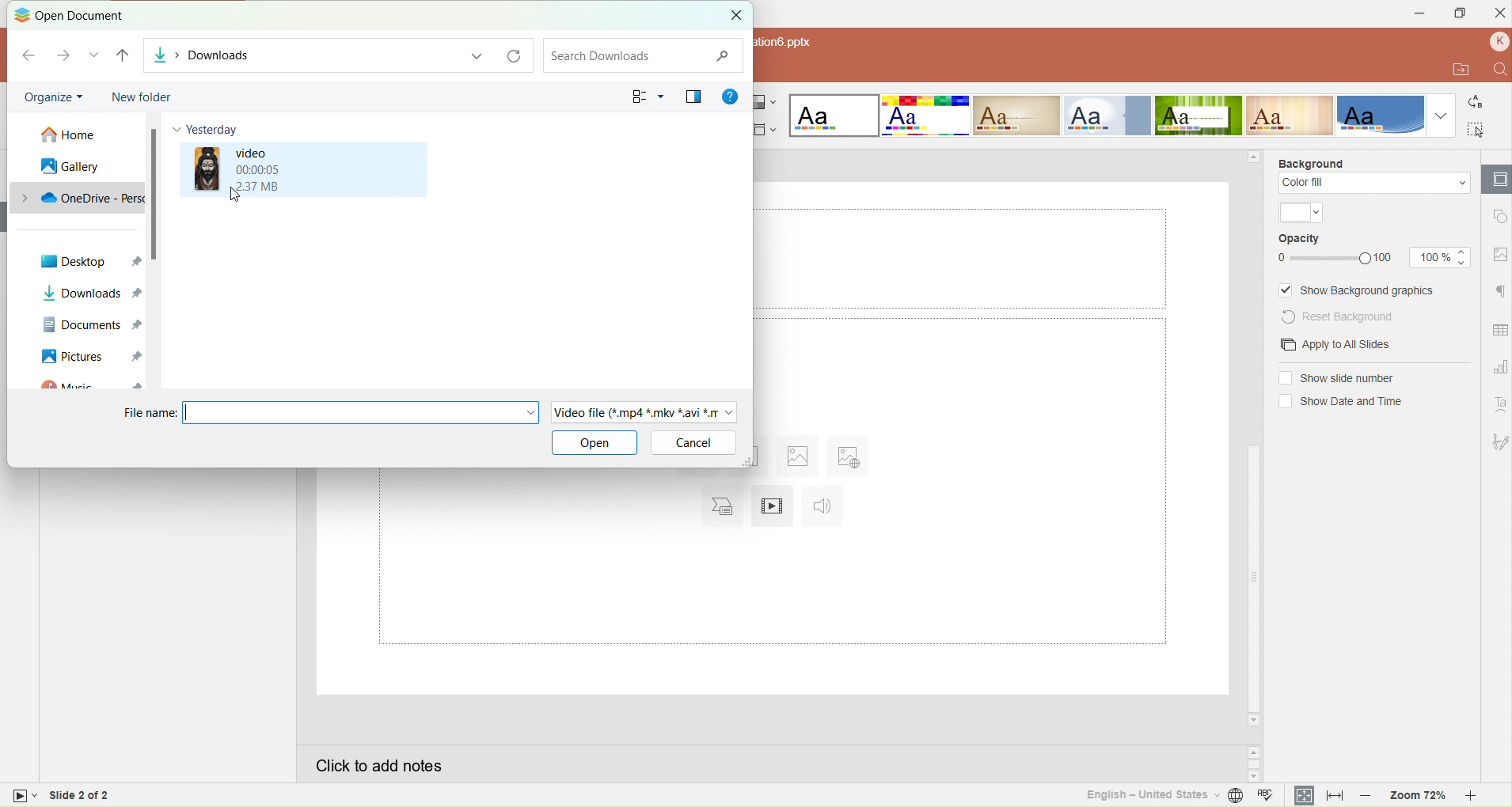 The height and width of the screenshot is (807, 1512). I want to click on Select slide size, so click(764, 130).